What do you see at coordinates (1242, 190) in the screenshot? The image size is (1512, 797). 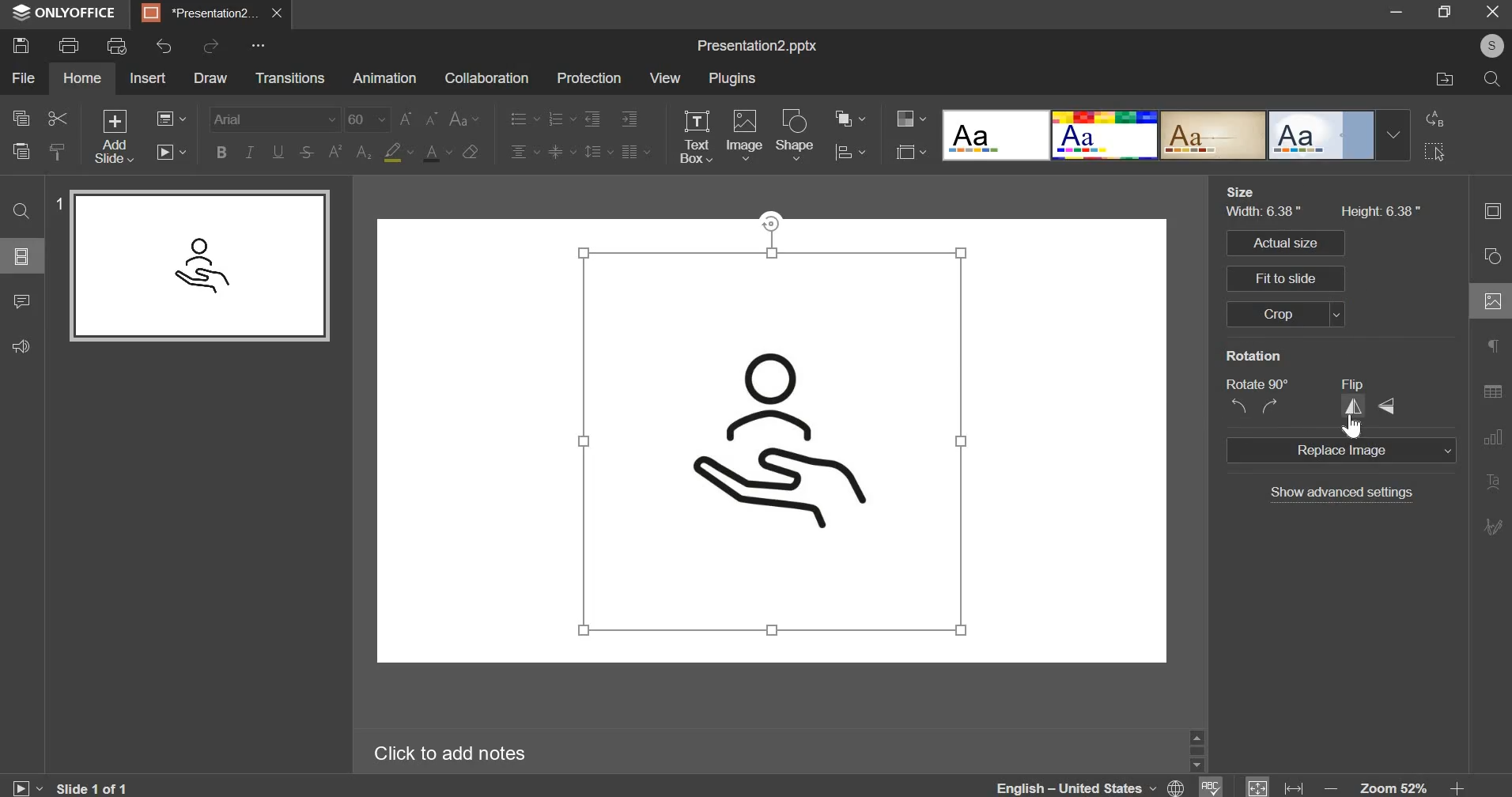 I see `size` at bounding box center [1242, 190].